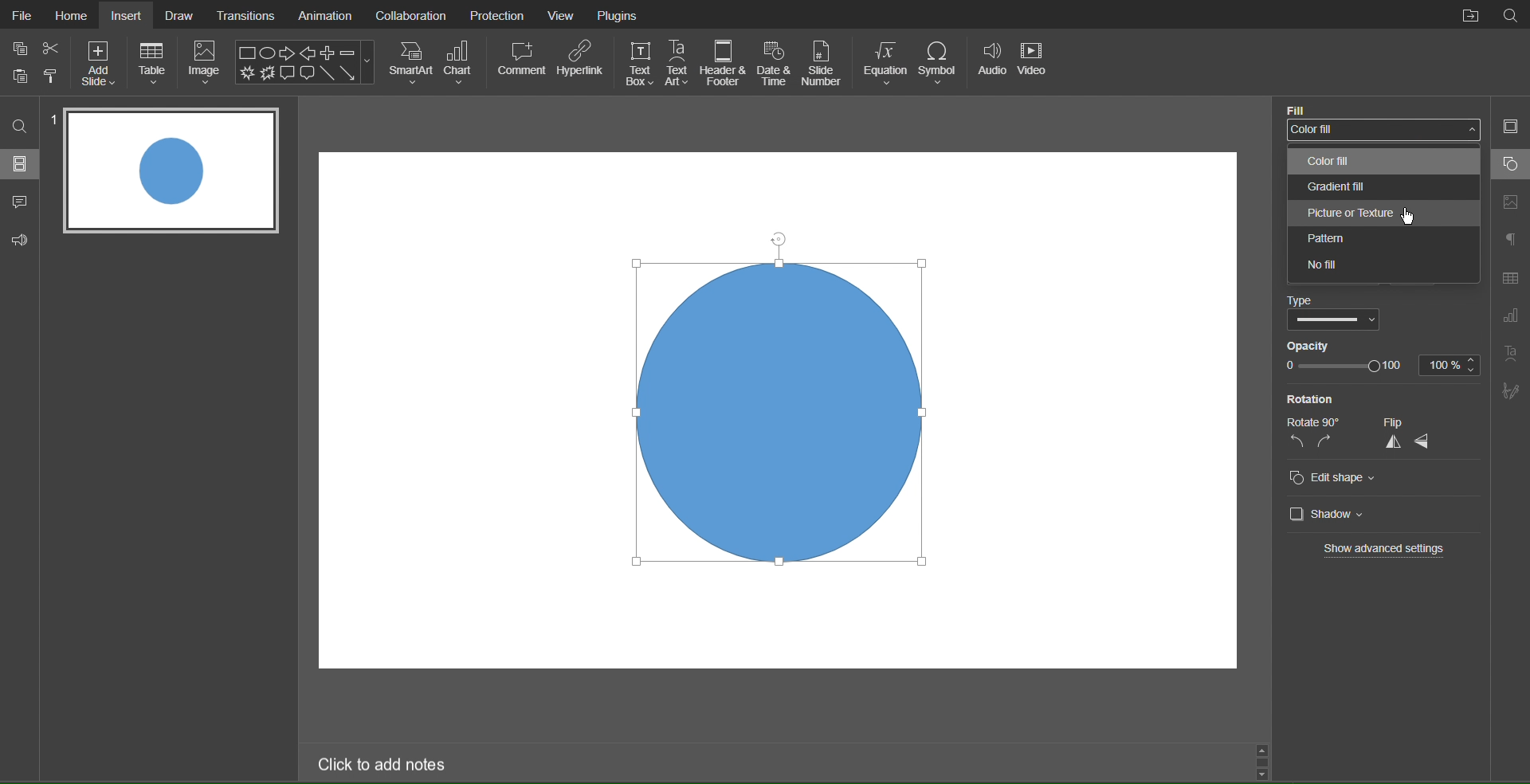 This screenshot has width=1530, height=784. I want to click on Equation, so click(885, 63).